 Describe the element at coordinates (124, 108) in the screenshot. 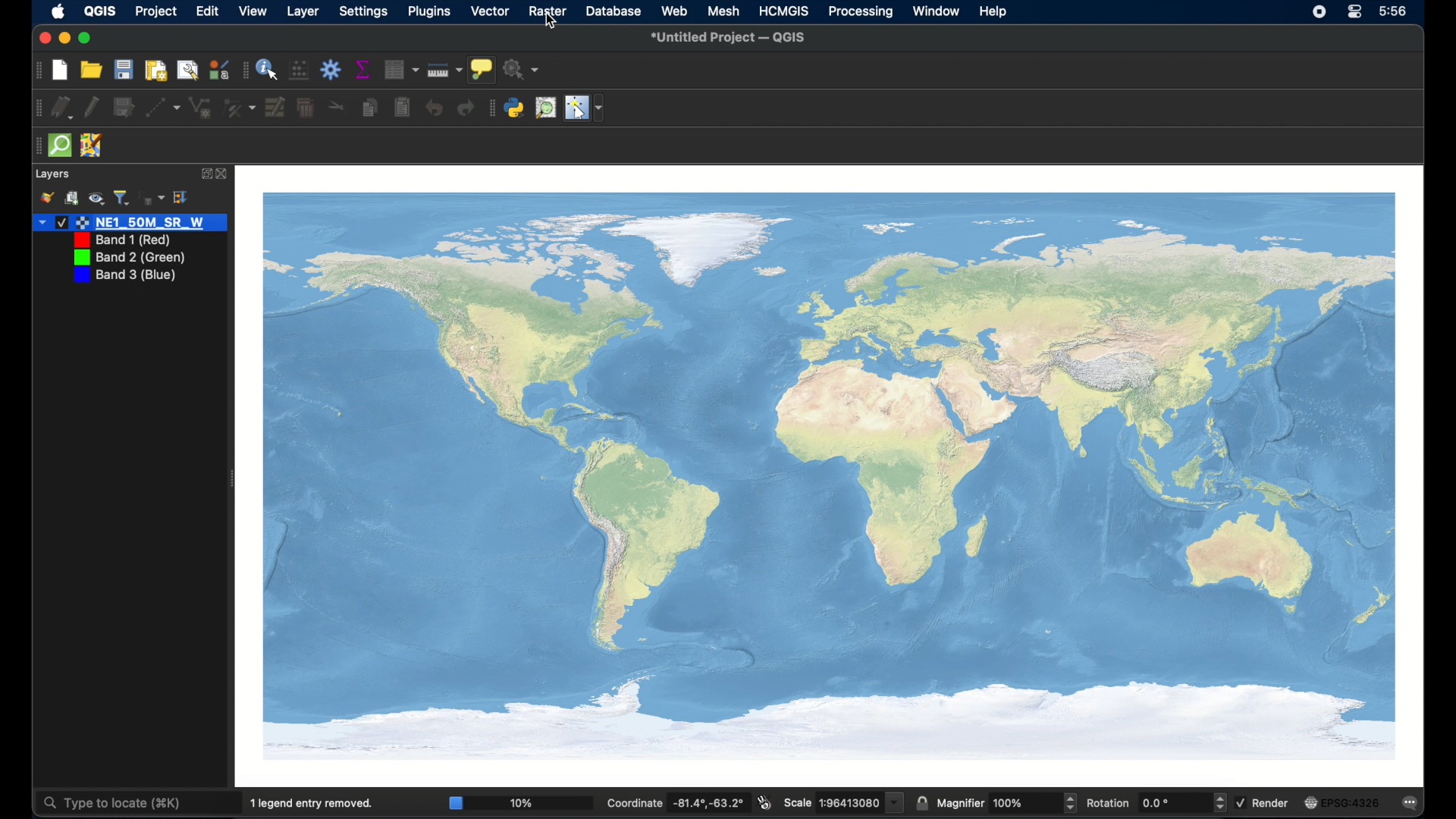

I see `save edits` at that location.